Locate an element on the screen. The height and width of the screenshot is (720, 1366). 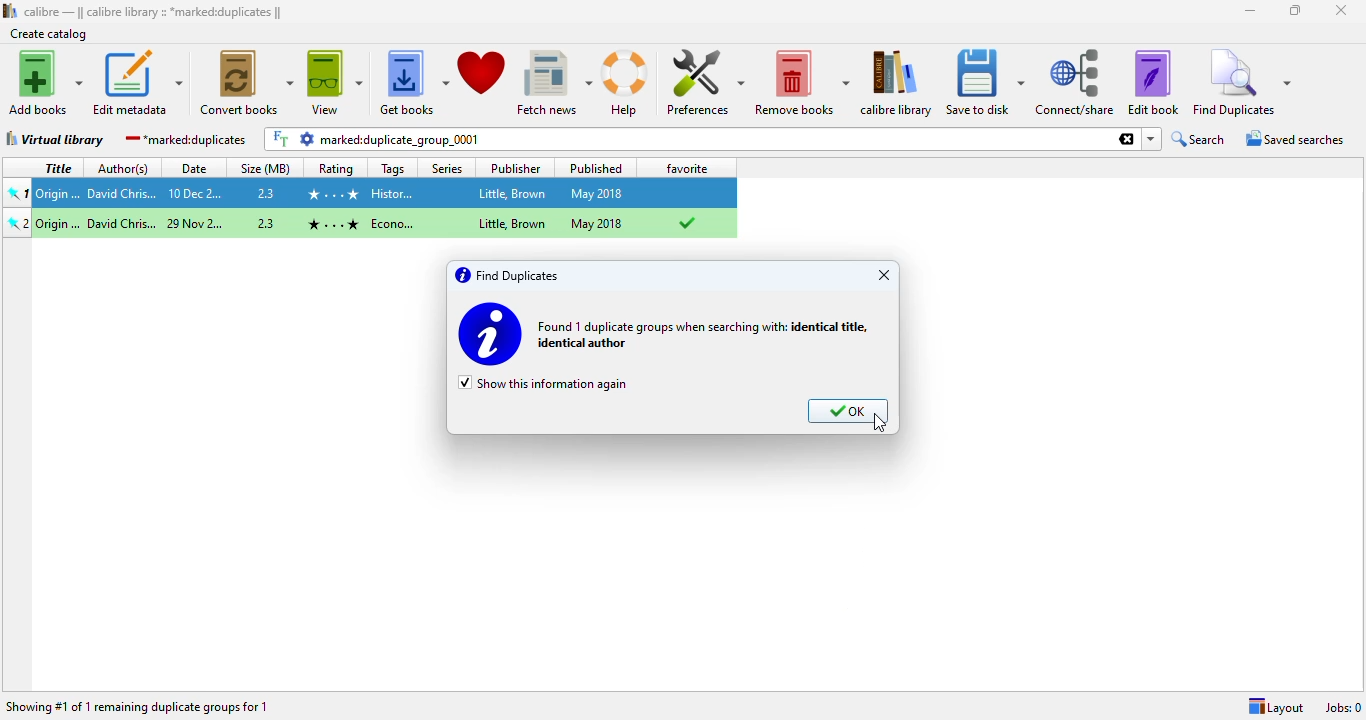
size (MB) is located at coordinates (263, 167).